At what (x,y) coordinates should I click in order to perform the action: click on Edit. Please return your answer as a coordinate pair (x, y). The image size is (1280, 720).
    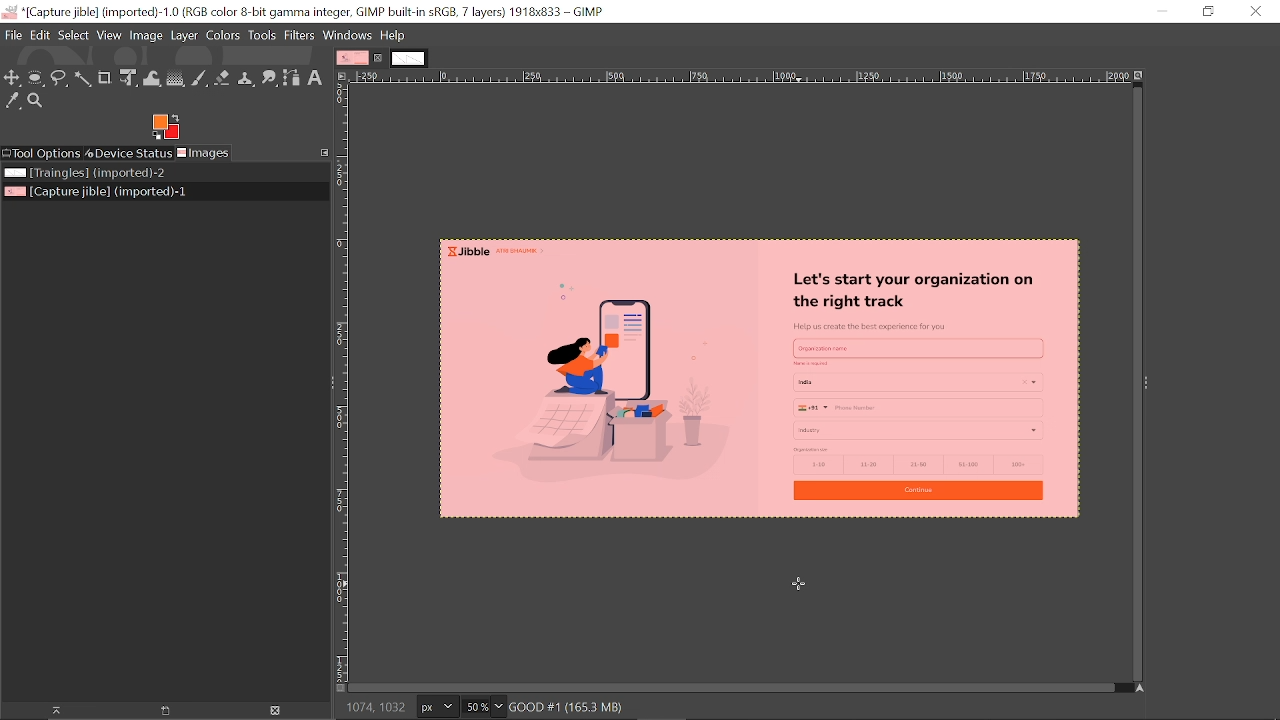
    Looking at the image, I should click on (40, 35).